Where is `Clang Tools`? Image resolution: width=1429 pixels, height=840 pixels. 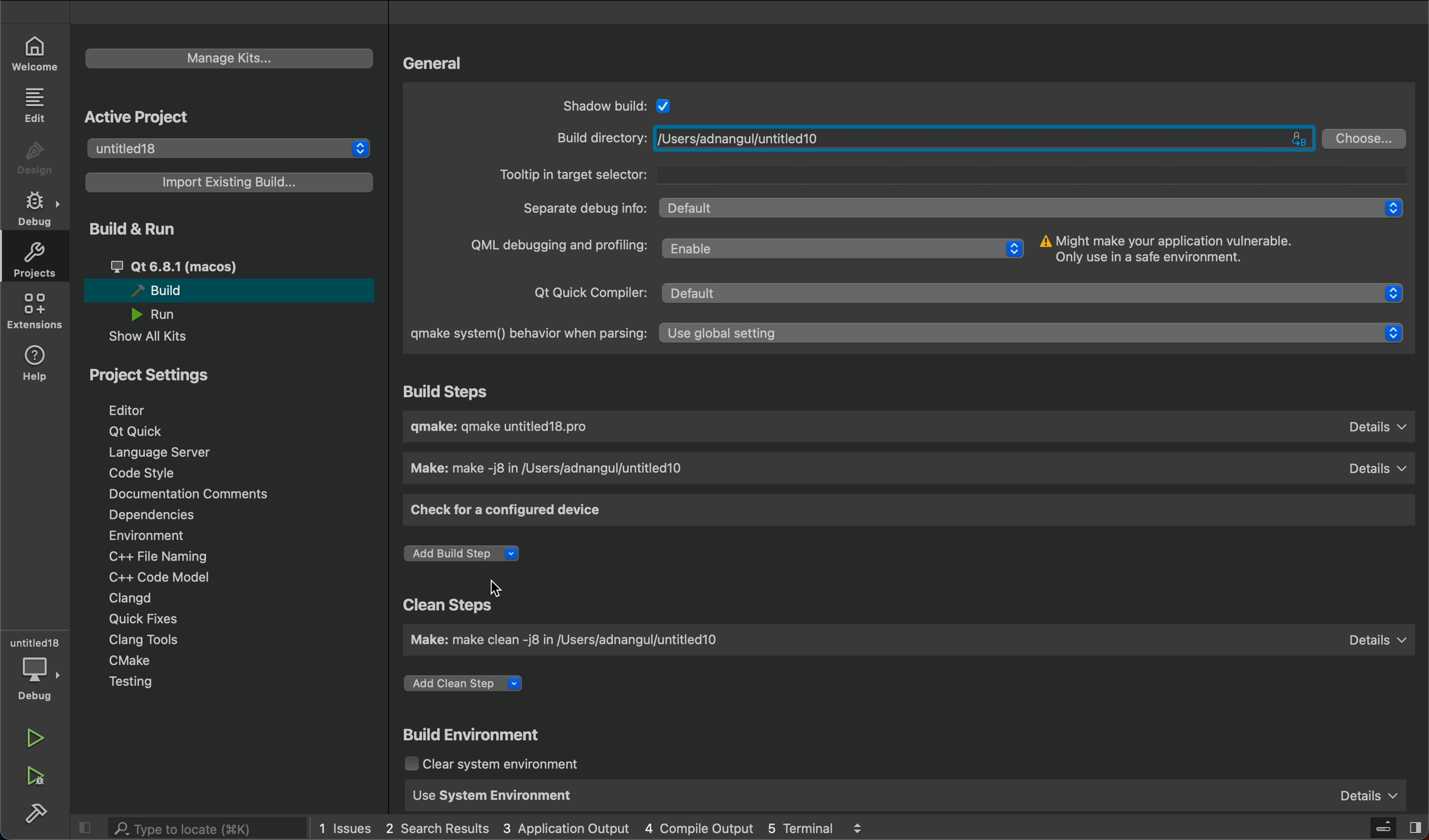
Clang Tools is located at coordinates (146, 638).